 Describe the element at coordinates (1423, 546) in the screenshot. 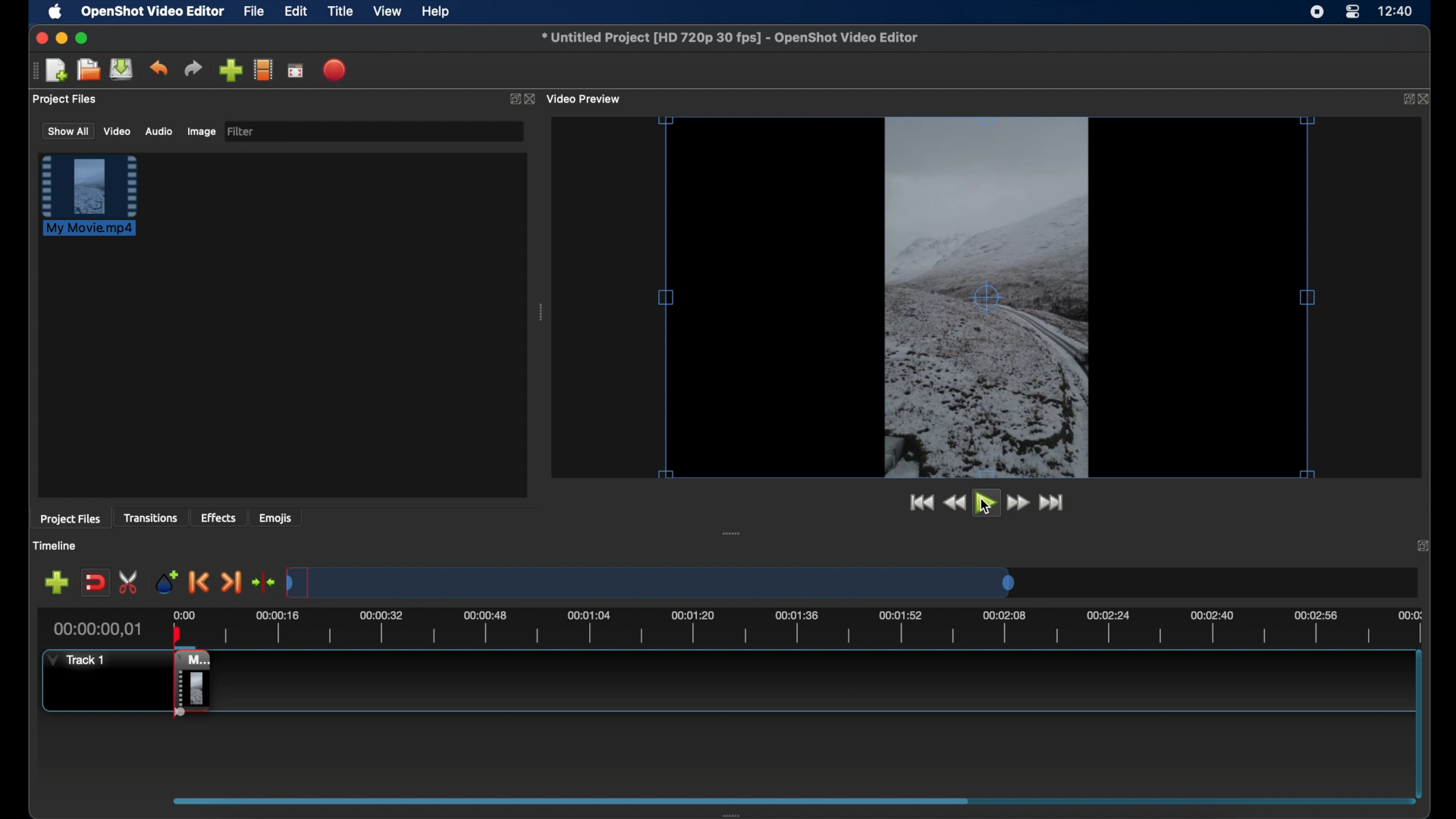

I see `expand` at that location.